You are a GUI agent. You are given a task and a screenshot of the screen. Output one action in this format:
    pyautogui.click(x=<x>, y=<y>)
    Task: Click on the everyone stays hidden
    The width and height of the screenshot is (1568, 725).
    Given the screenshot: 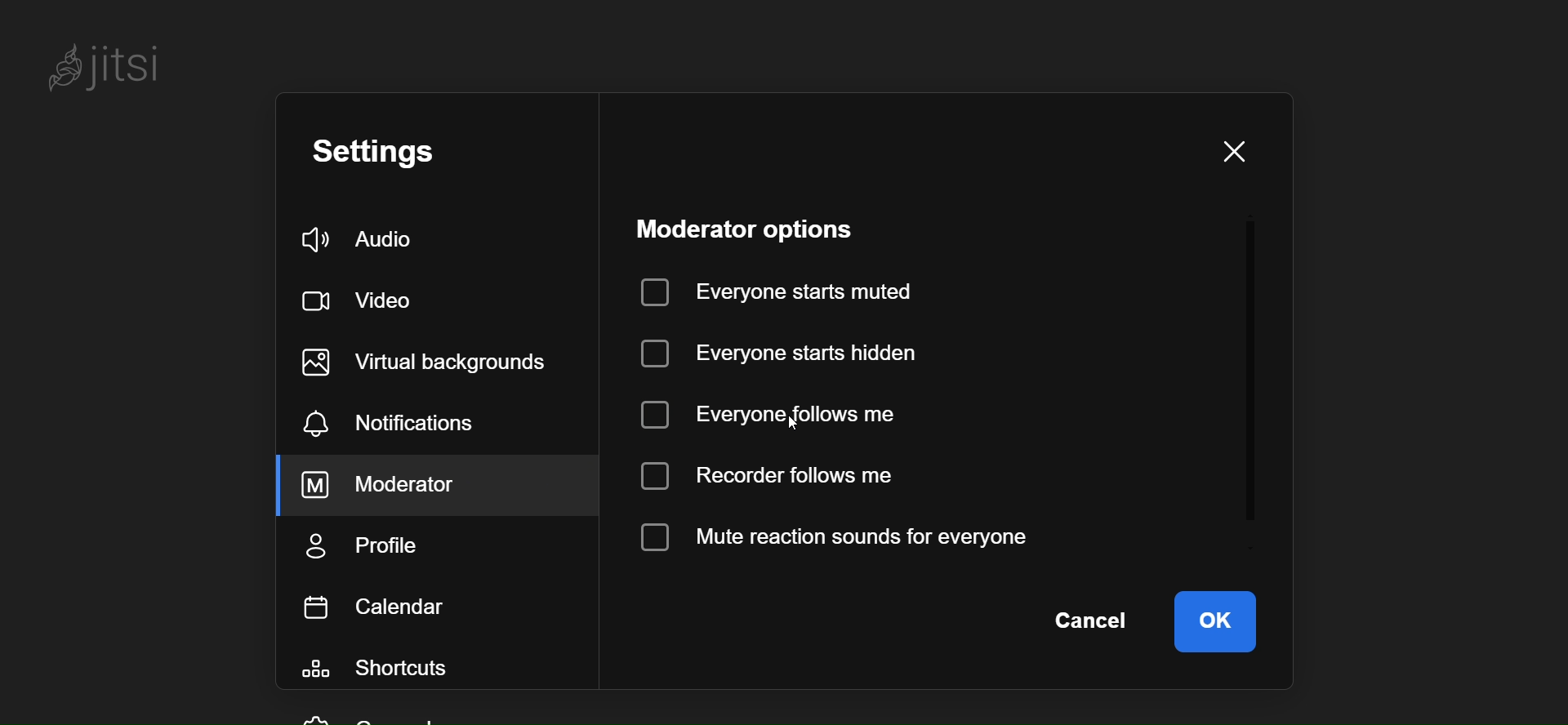 What is the action you would take?
    pyautogui.click(x=786, y=352)
    